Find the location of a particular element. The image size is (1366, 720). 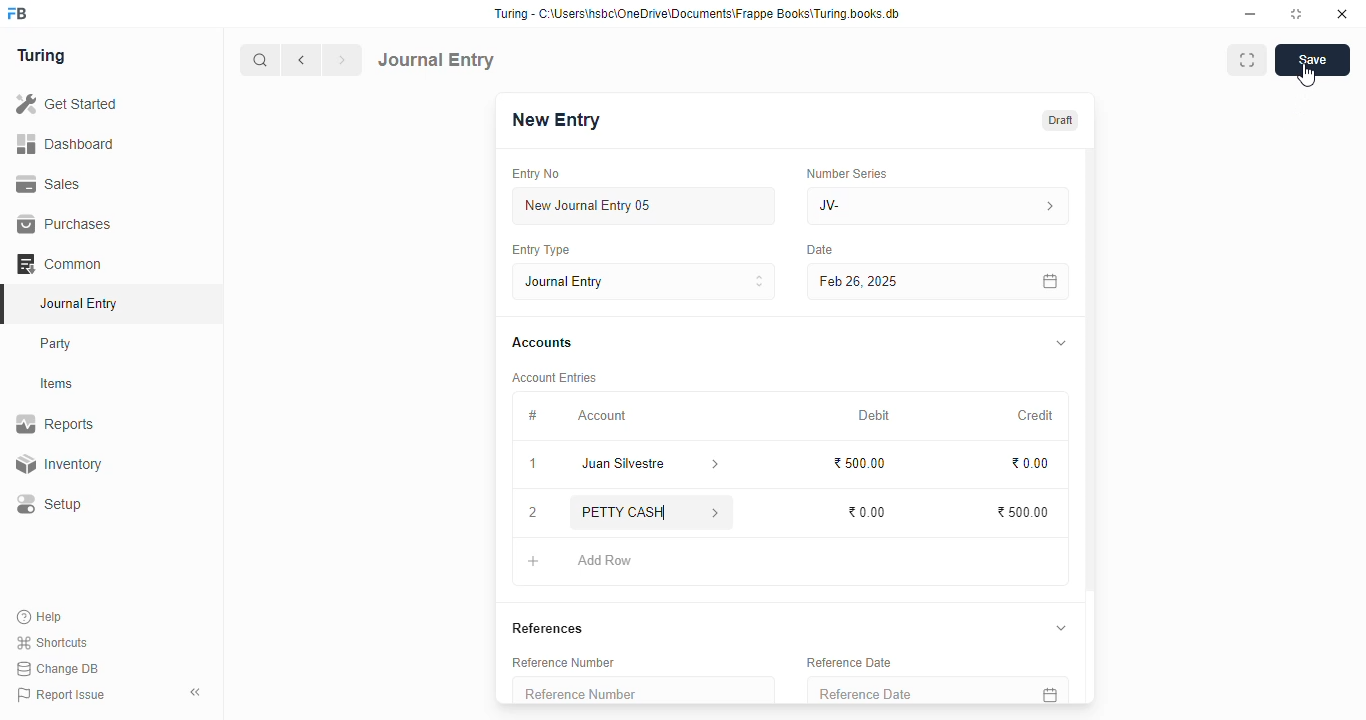

account information is located at coordinates (716, 465).